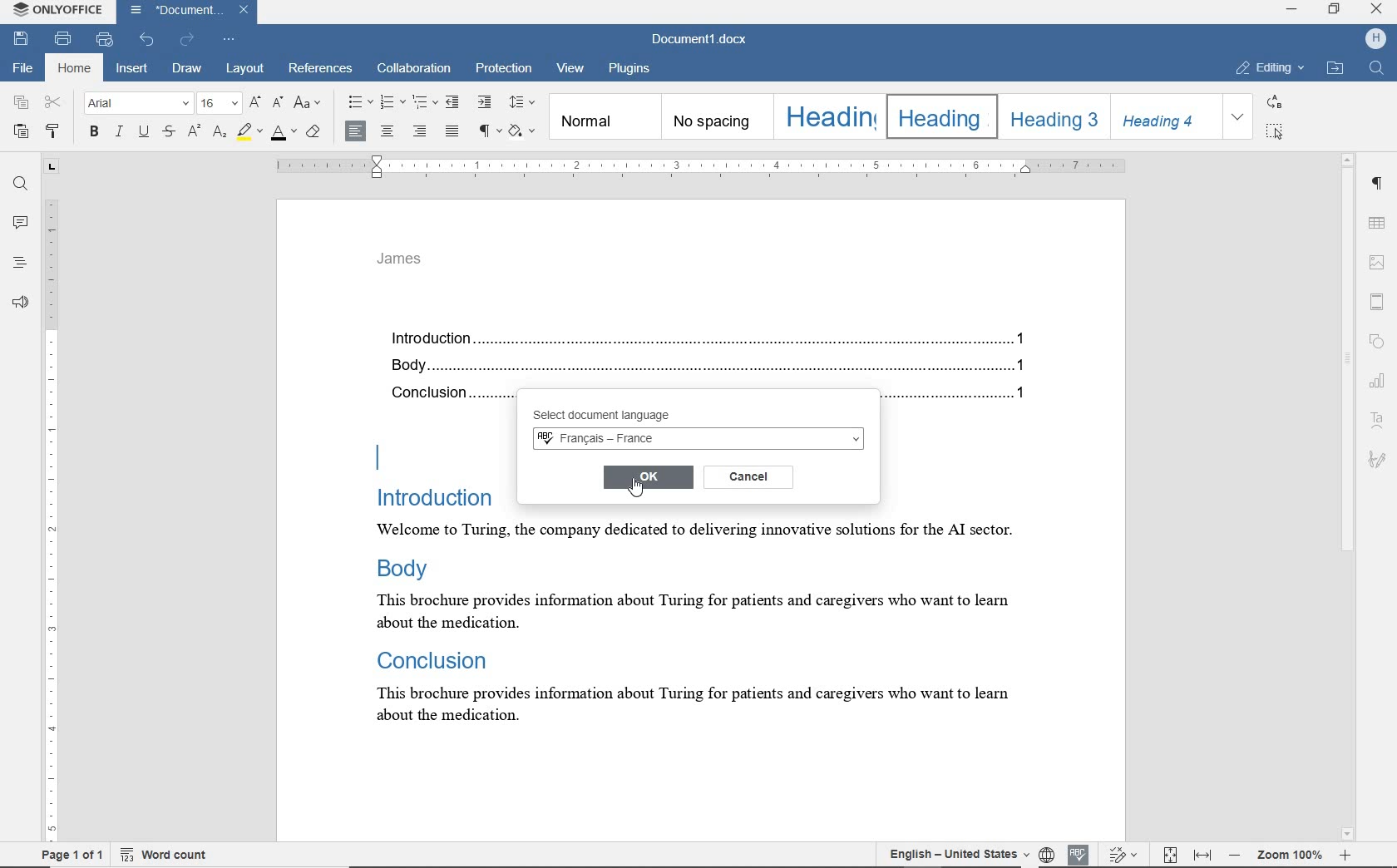  What do you see at coordinates (1204, 856) in the screenshot?
I see `fit to width` at bounding box center [1204, 856].